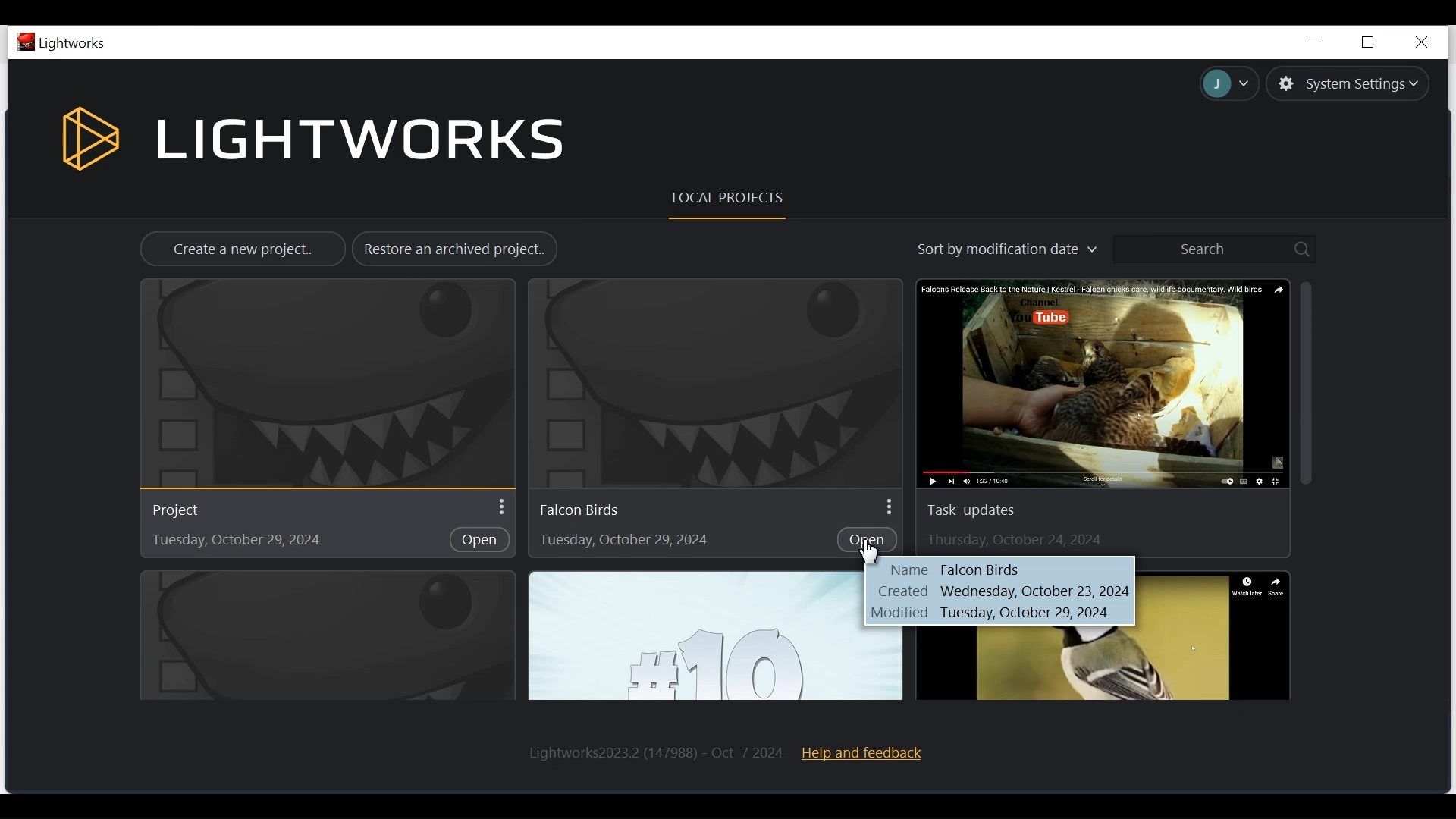 Image resolution: width=1456 pixels, height=819 pixels. What do you see at coordinates (871, 538) in the screenshot?
I see `Open` at bounding box center [871, 538].